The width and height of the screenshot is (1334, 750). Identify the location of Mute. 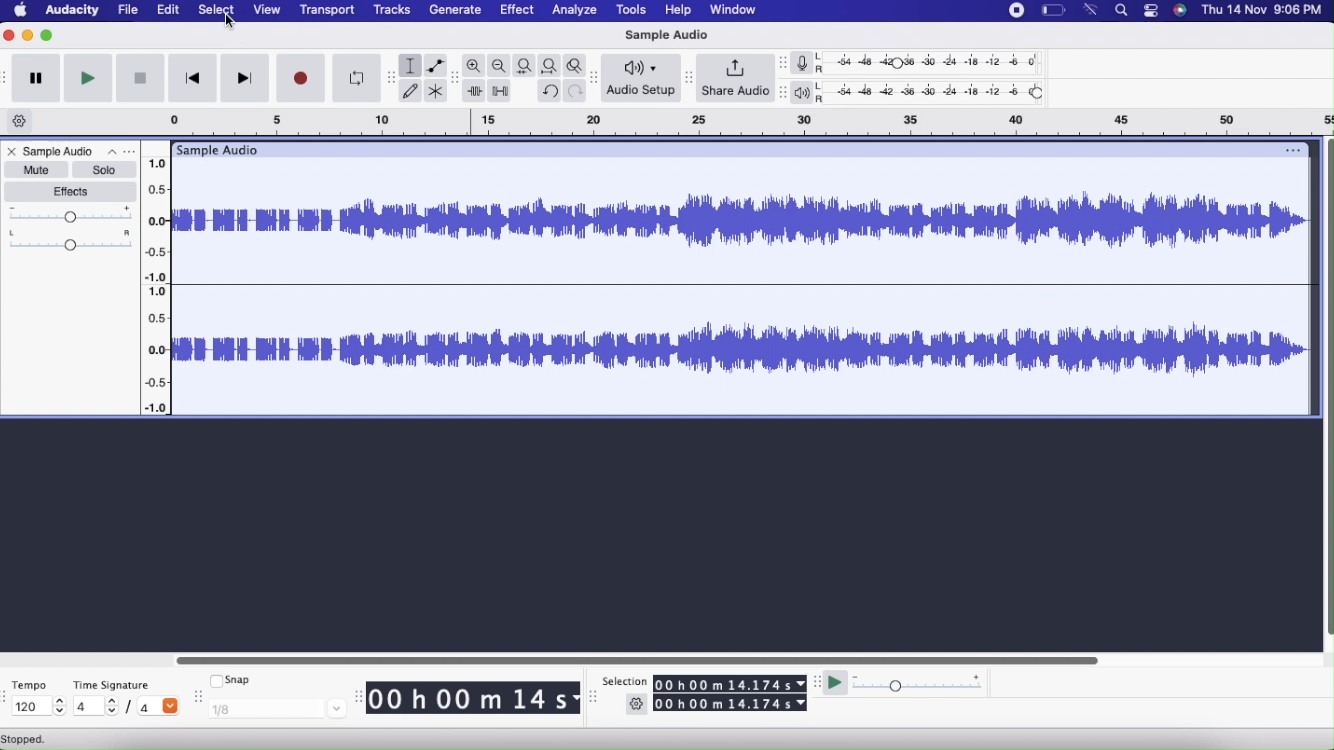
(38, 171).